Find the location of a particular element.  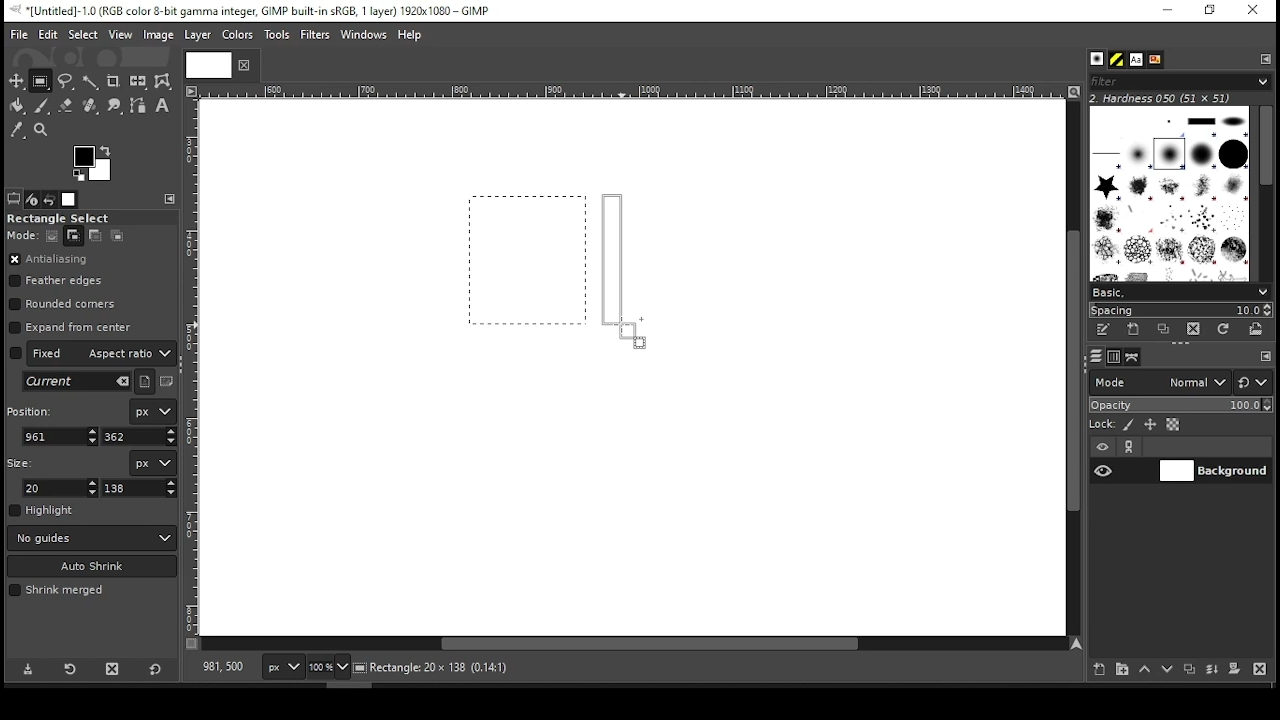

crop  tool is located at coordinates (113, 82).